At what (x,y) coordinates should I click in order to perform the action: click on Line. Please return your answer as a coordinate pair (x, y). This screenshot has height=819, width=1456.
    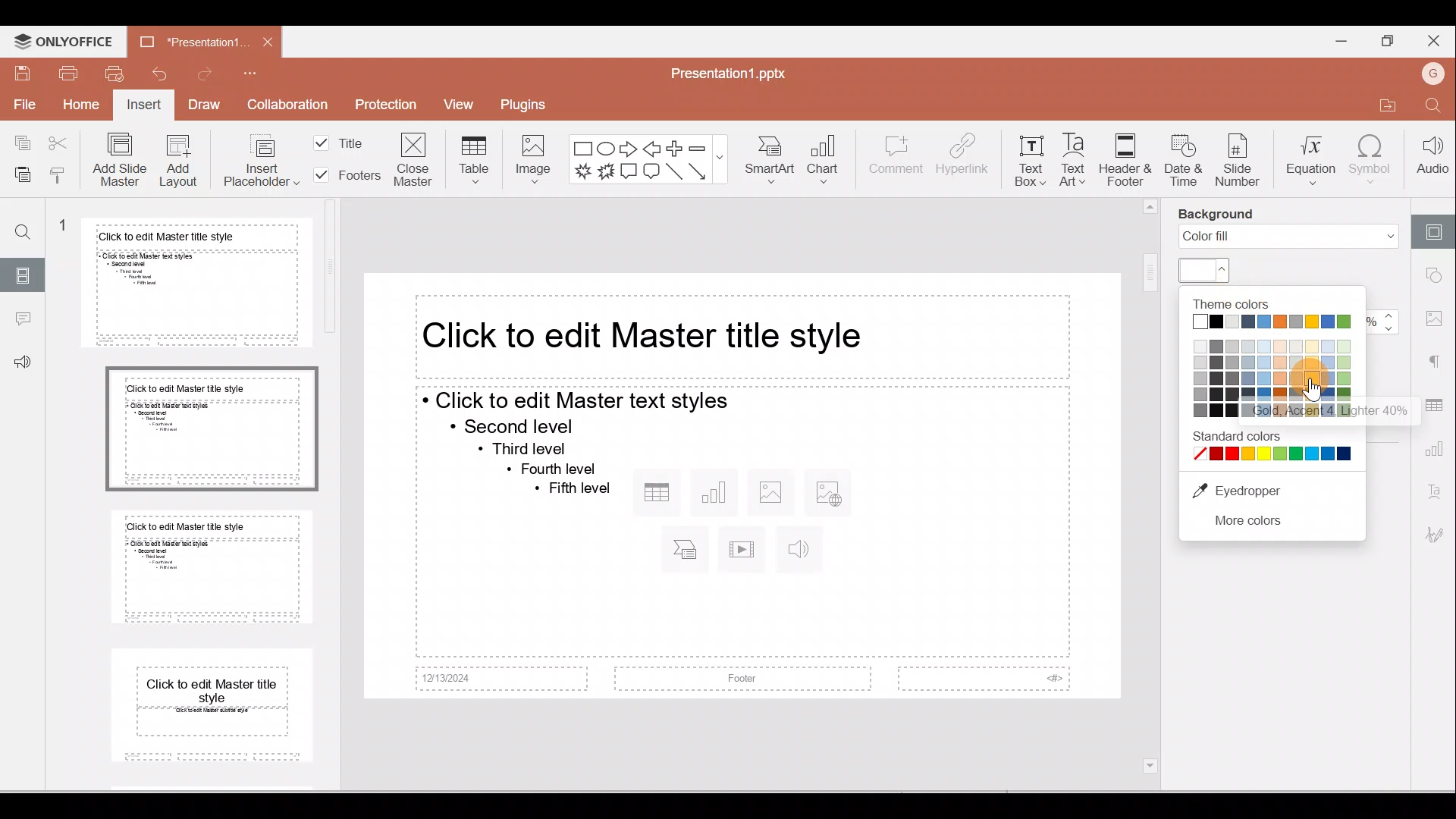
    Looking at the image, I should click on (673, 171).